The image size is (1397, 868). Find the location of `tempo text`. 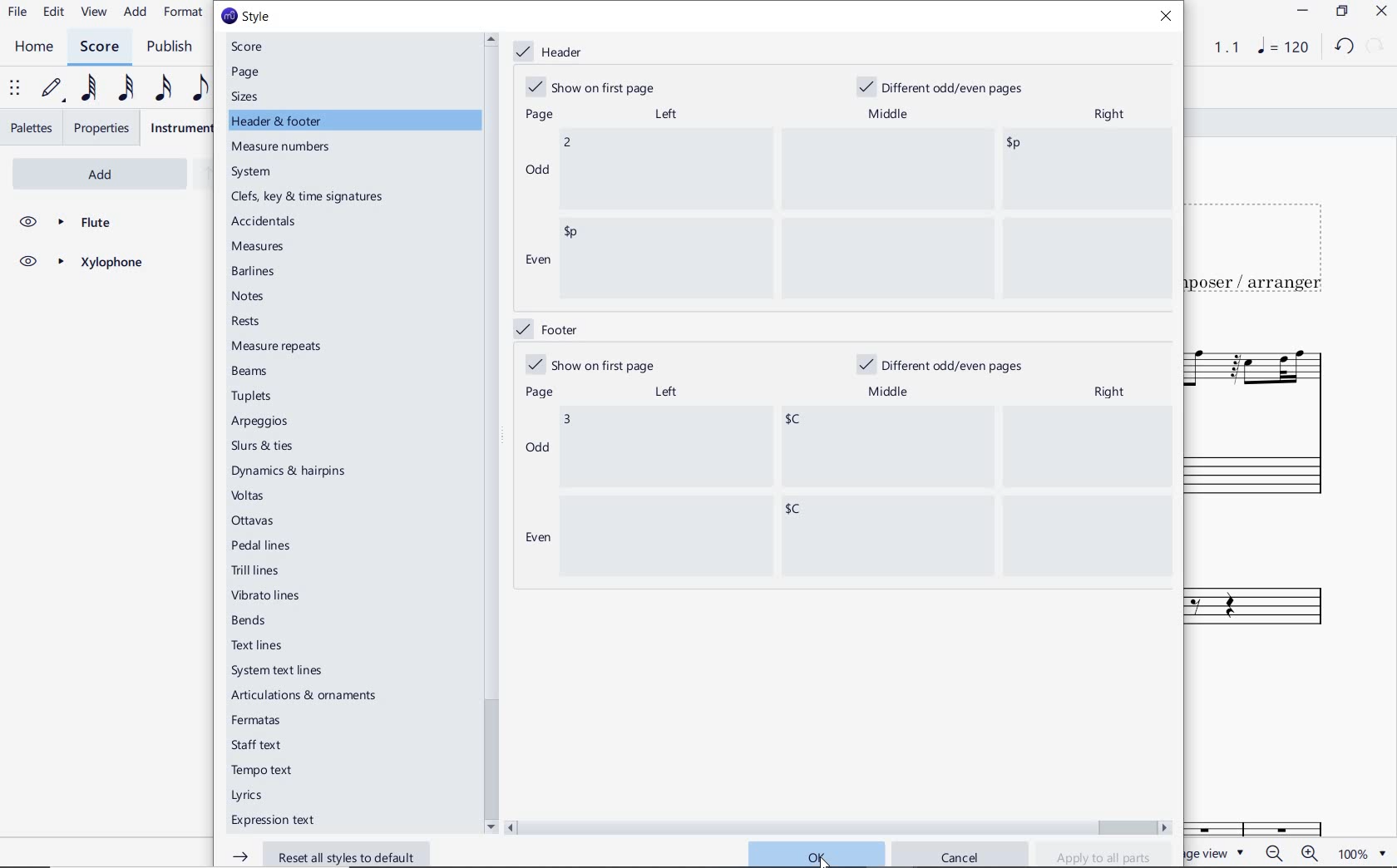

tempo text is located at coordinates (264, 772).